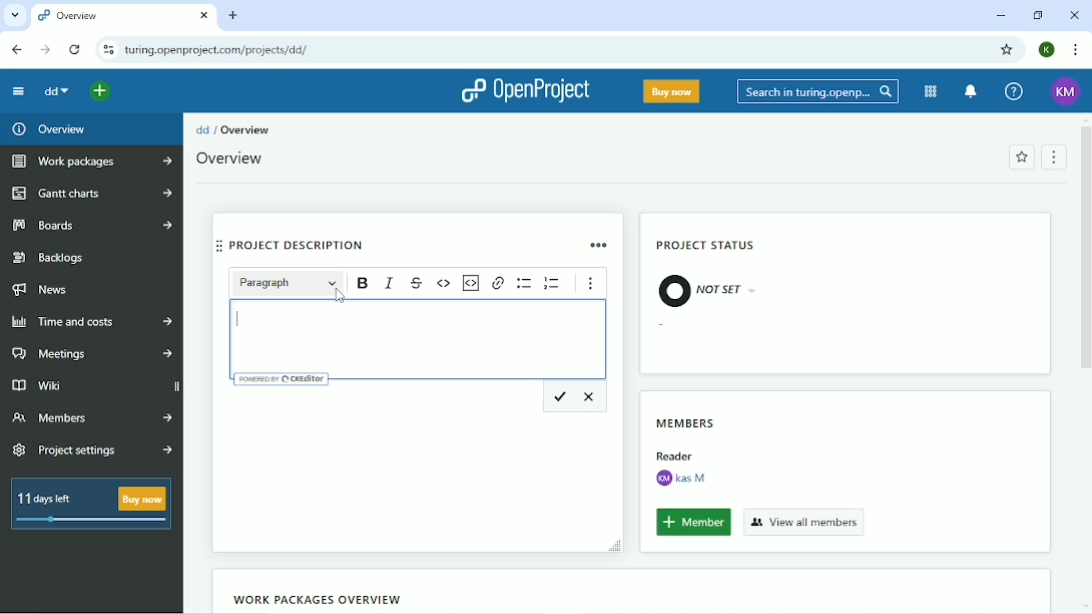 The image size is (1092, 614). I want to click on 11 days left Buy now, so click(91, 504).